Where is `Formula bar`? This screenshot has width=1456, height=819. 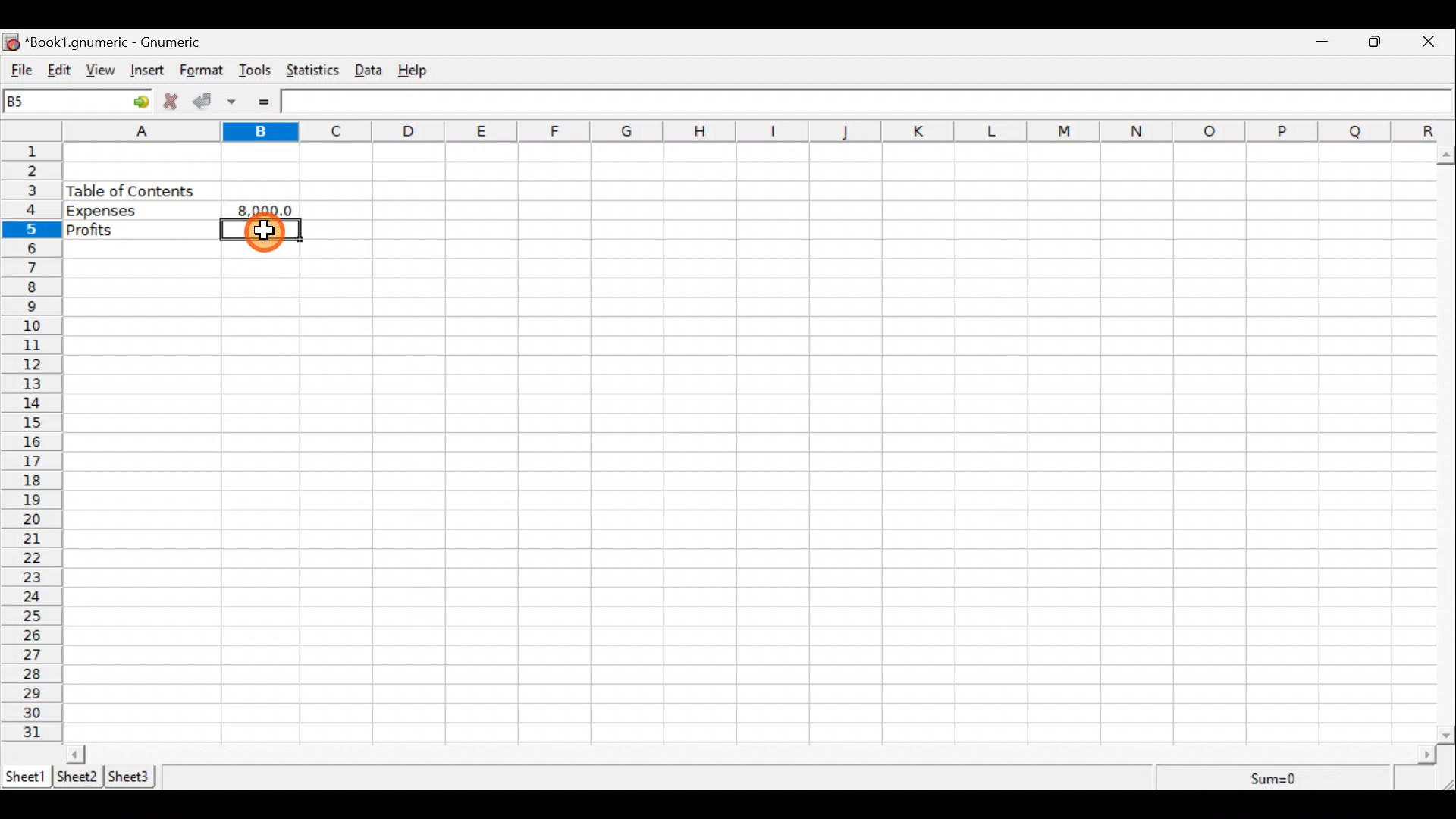 Formula bar is located at coordinates (865, 100).